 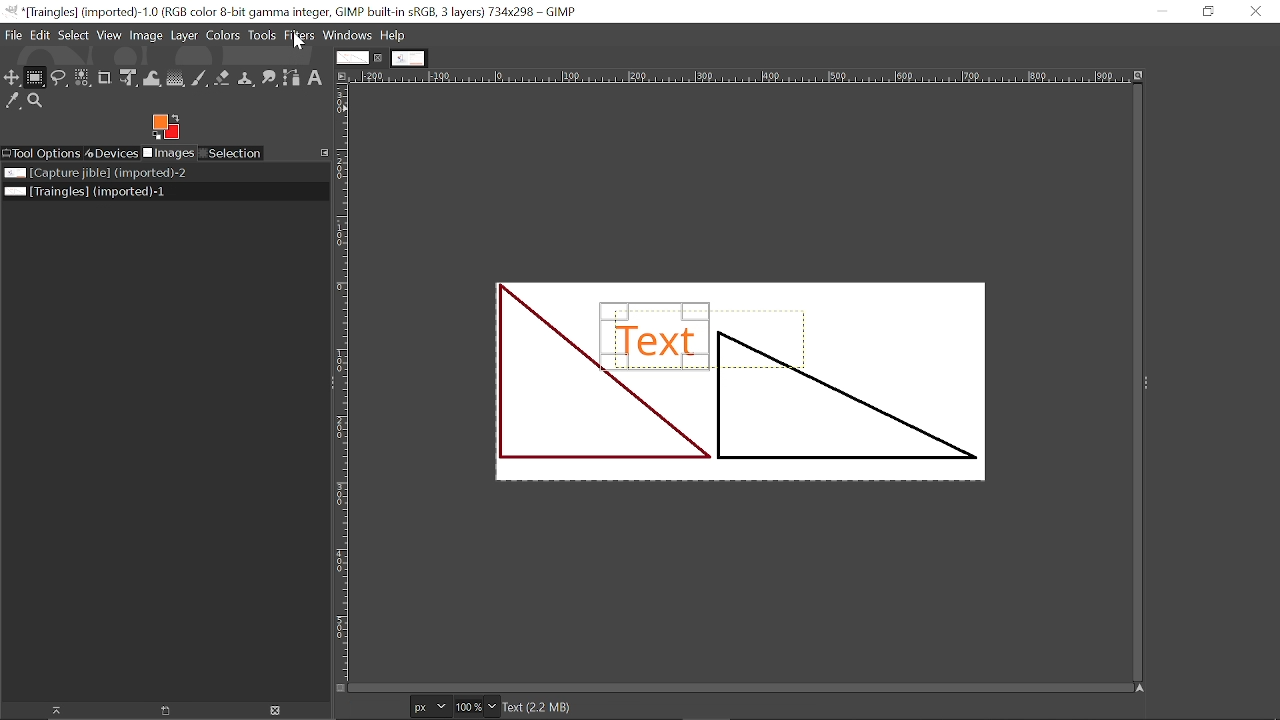 What do you see at coordinates (408, 58) in the screenshot?
I see `Other tab` at bounding box center [408, 58].